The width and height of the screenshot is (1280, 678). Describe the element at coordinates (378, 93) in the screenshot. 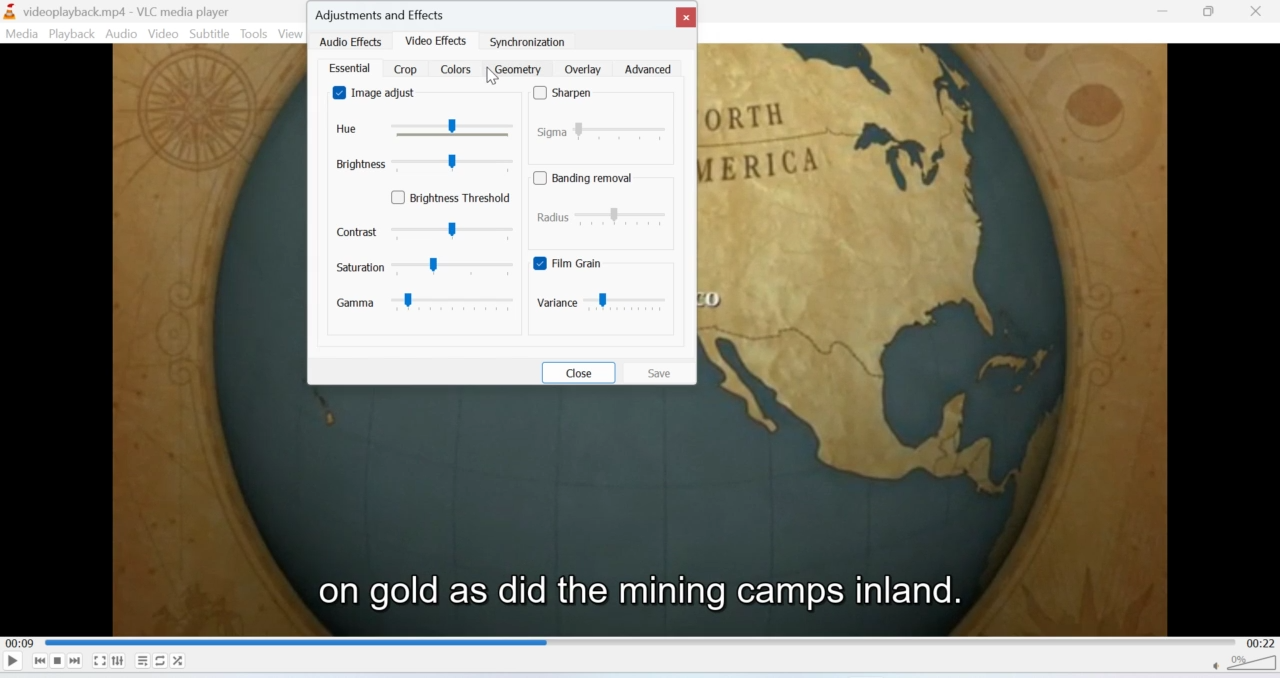

I see `image adjust` at that location.